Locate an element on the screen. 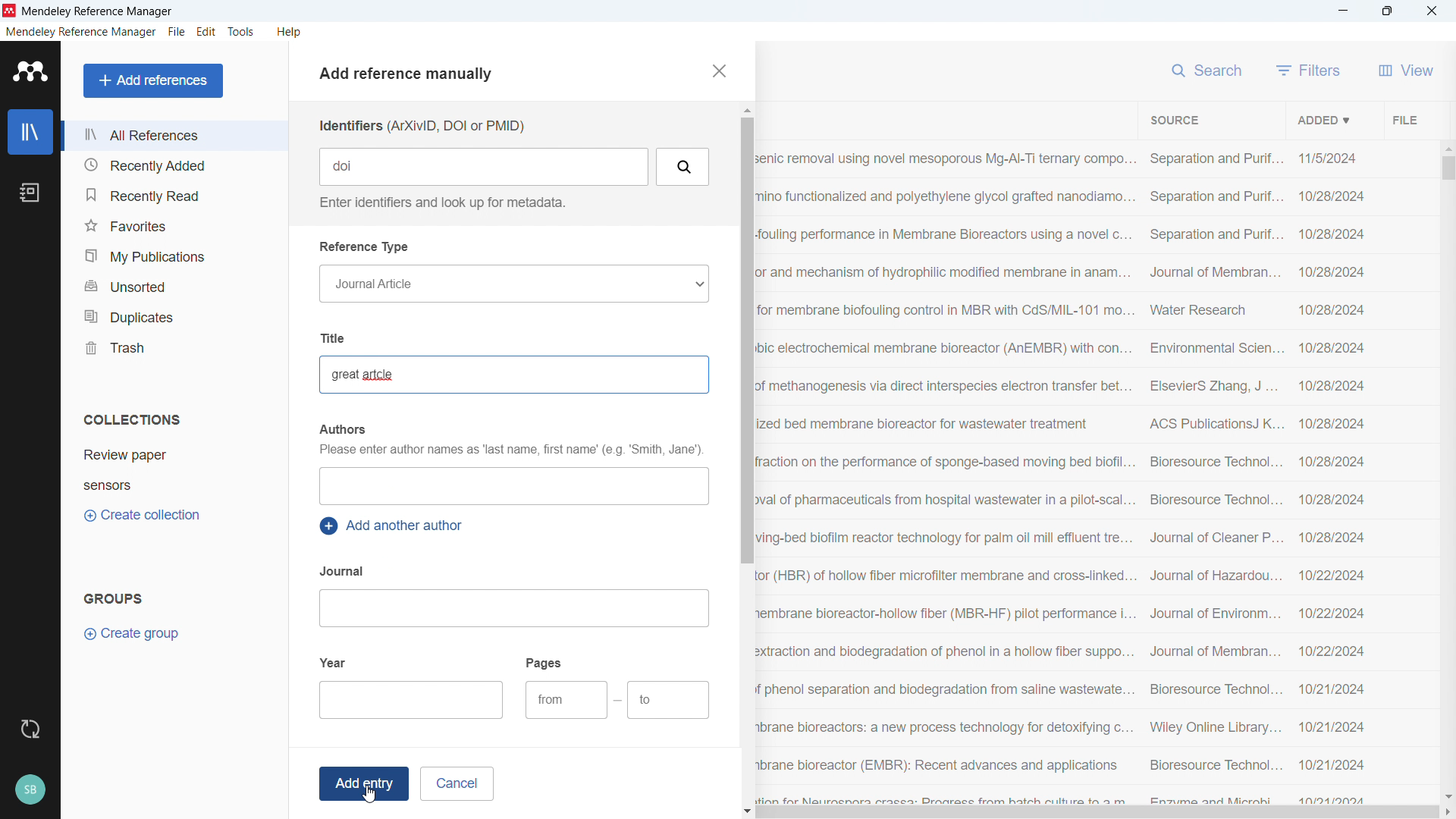 The image size is (1456, 819). Horizontal scroll bar  is located at coordinates (1098, 813).